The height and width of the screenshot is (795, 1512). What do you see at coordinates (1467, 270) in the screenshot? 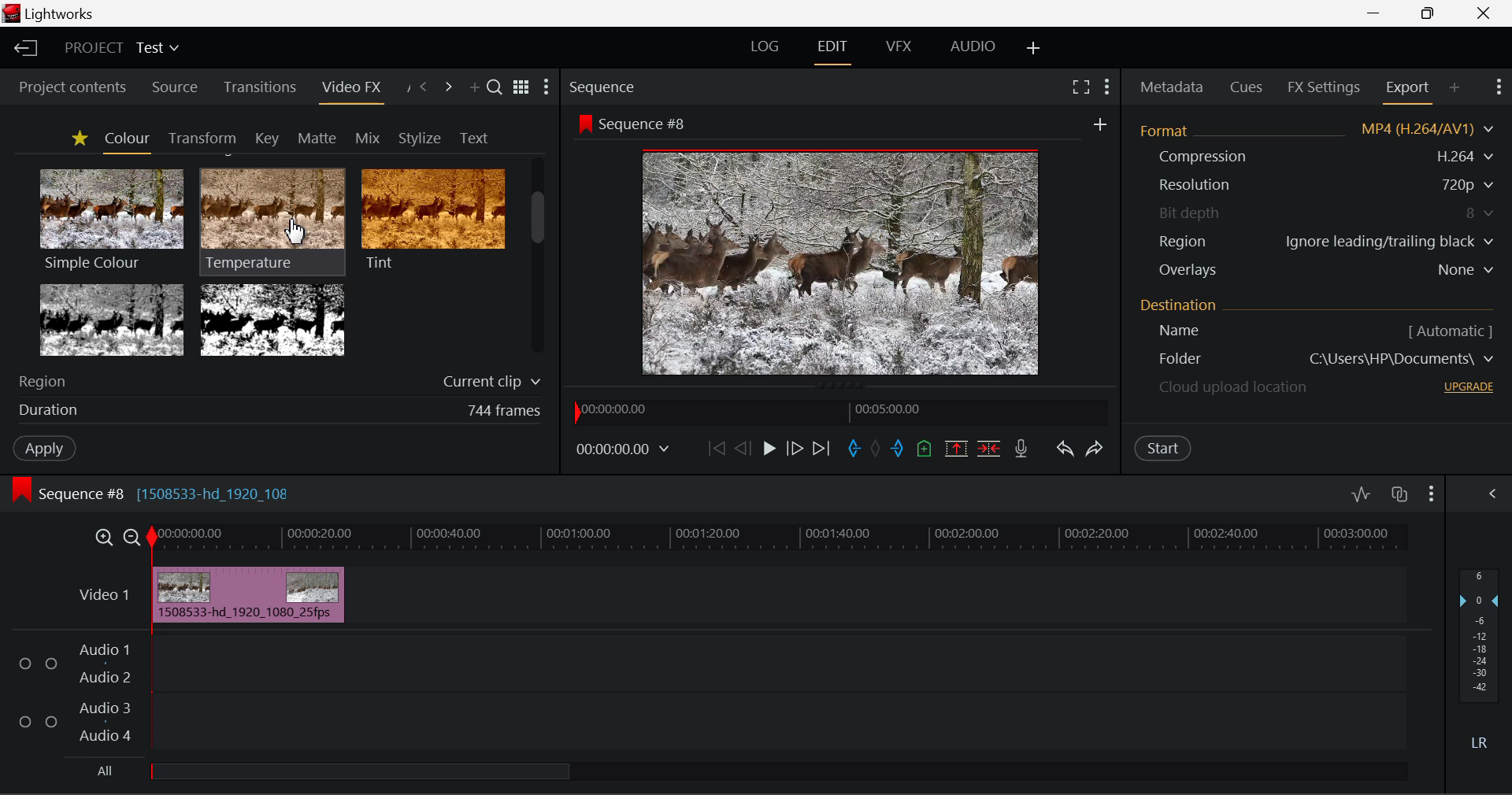
I see `None ` at bounding box center [1467, 270].